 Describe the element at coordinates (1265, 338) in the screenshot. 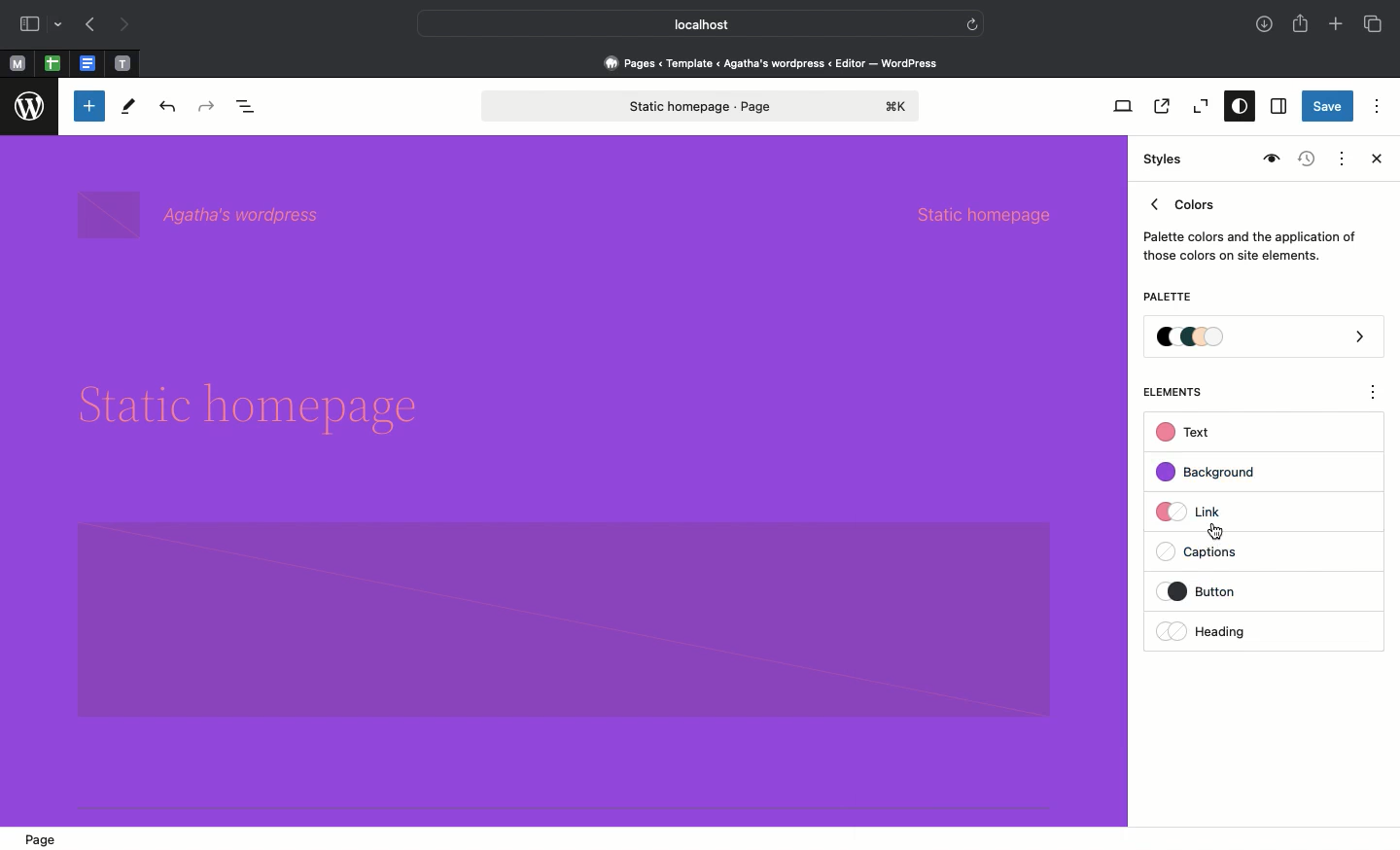

I see `Palette` at that location.